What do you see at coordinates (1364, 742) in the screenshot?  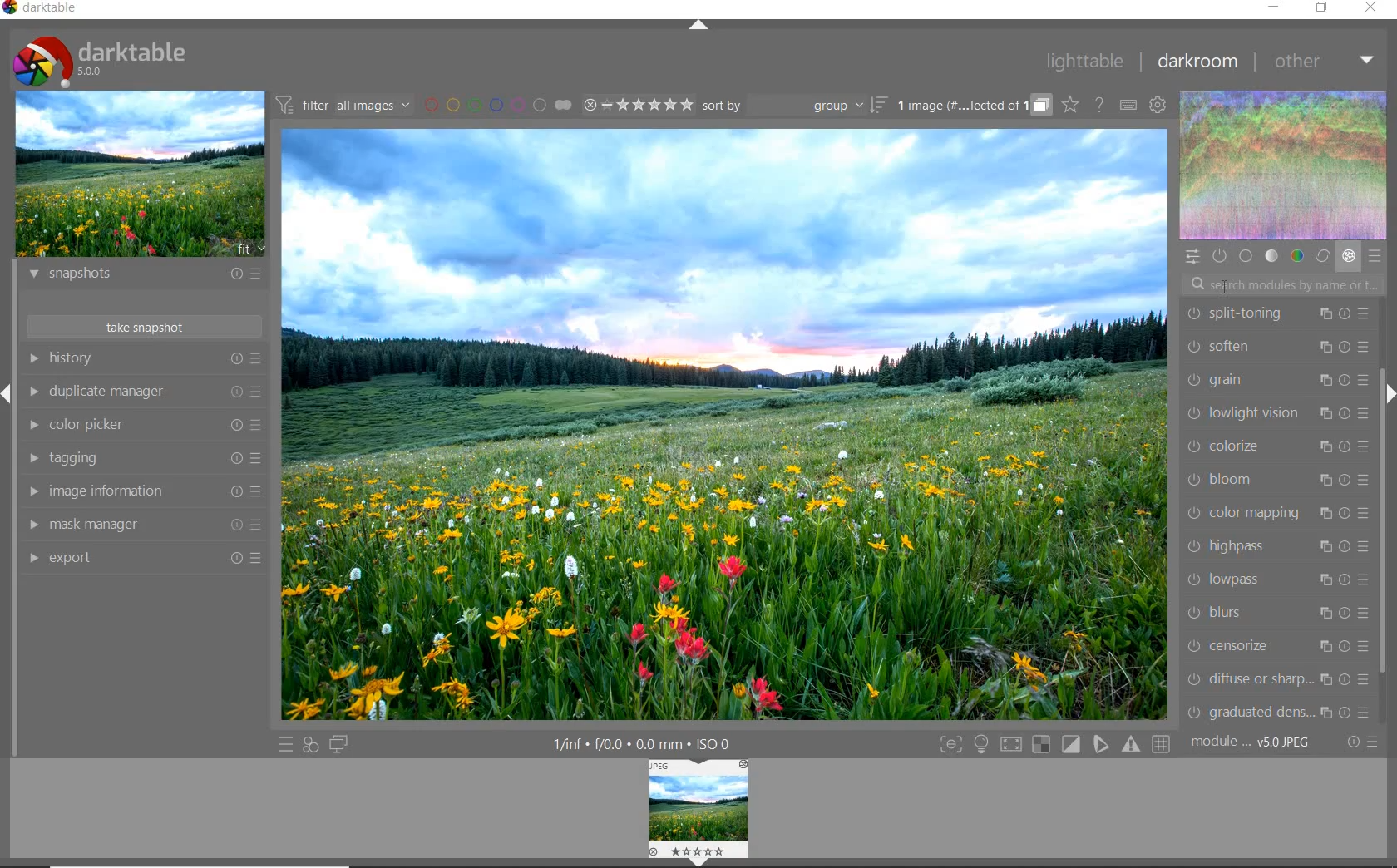 I see `reset or presets and preferences` at bounding box center [1364, 742].